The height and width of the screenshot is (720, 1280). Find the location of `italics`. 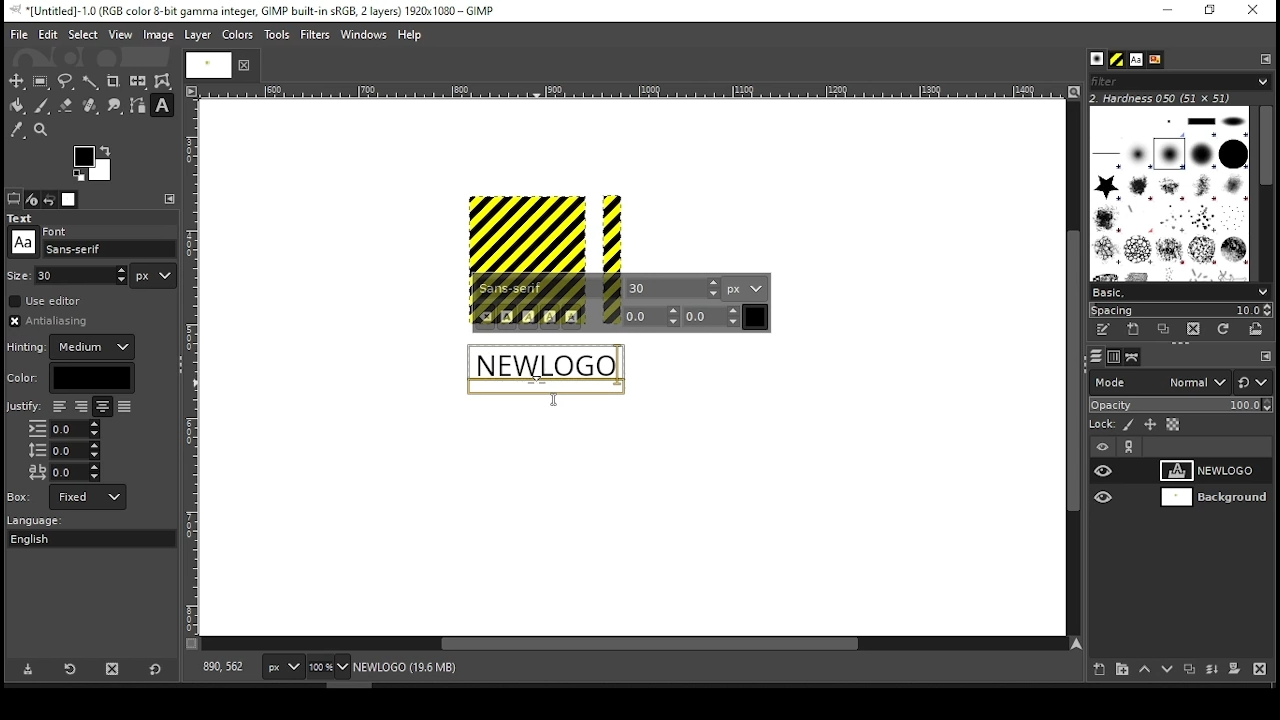

italics is located at coordinates (528, 317).